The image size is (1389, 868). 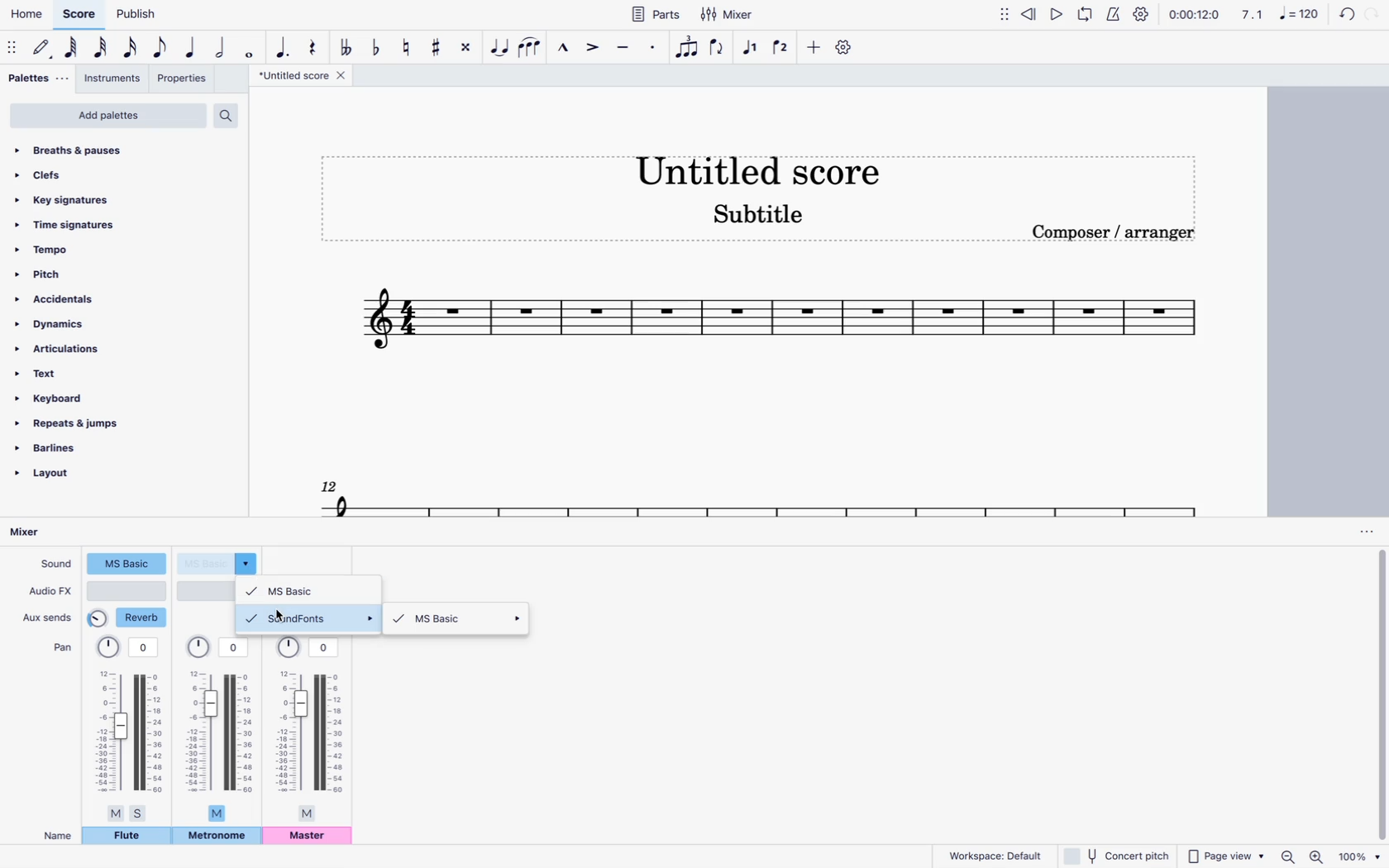 I want to click on more, so click(x=814, y=48).